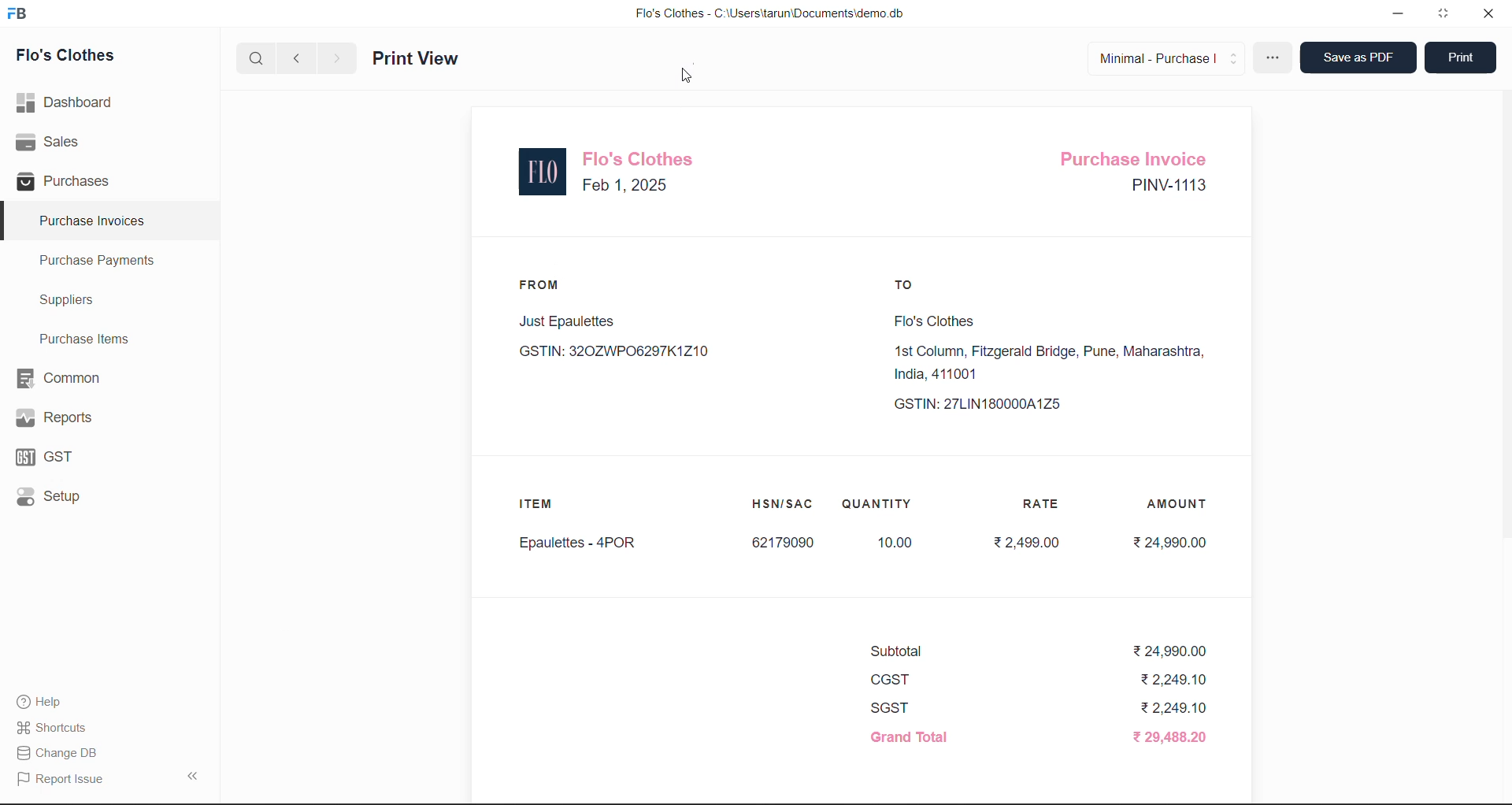 This screenshot has height=805, width=1512. I want to click on 62179090, so click(785, 542).